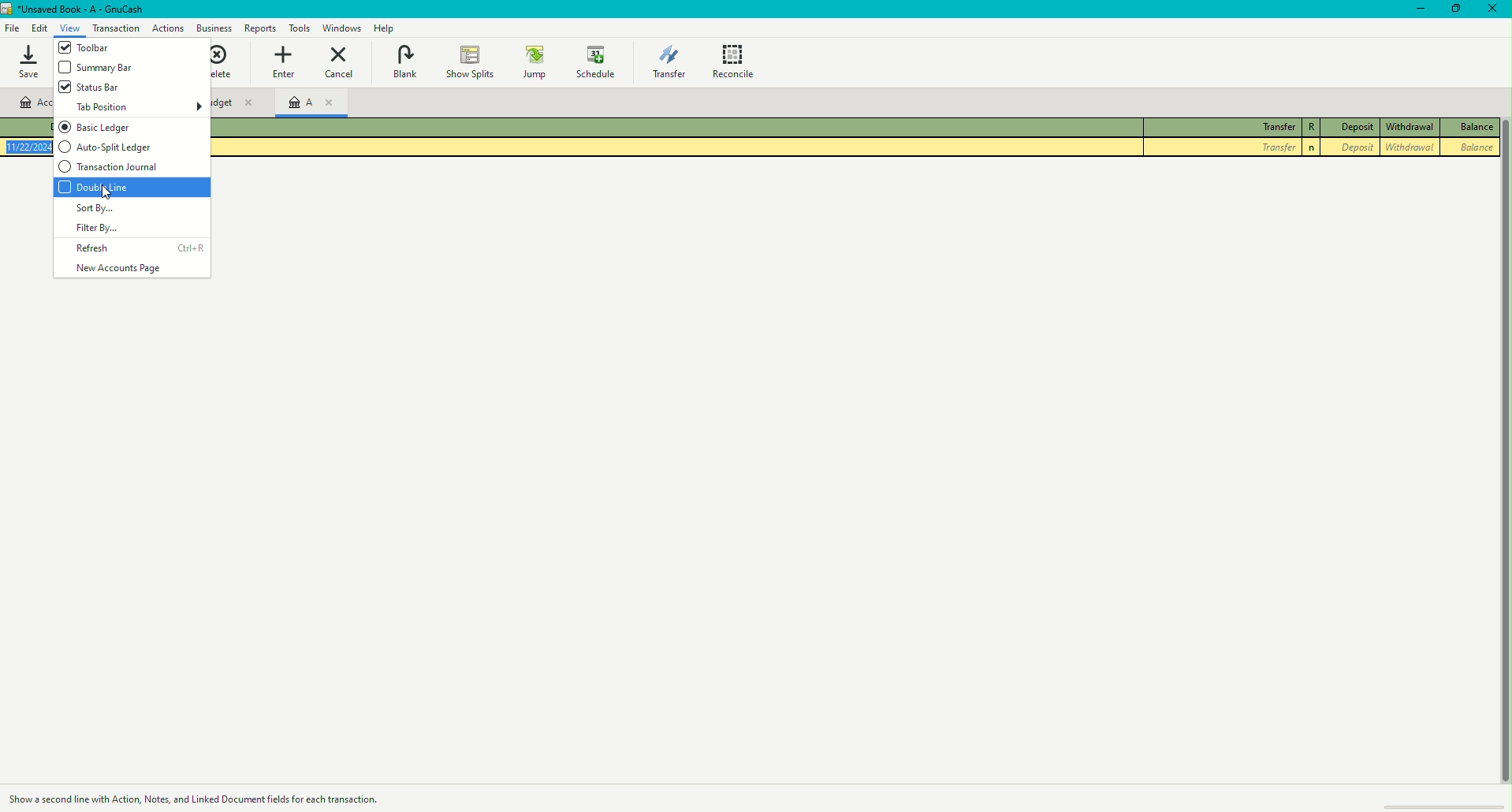 The height and width of the screenshot is (812, 1512). I want to click on Enter, so click(281, 61).